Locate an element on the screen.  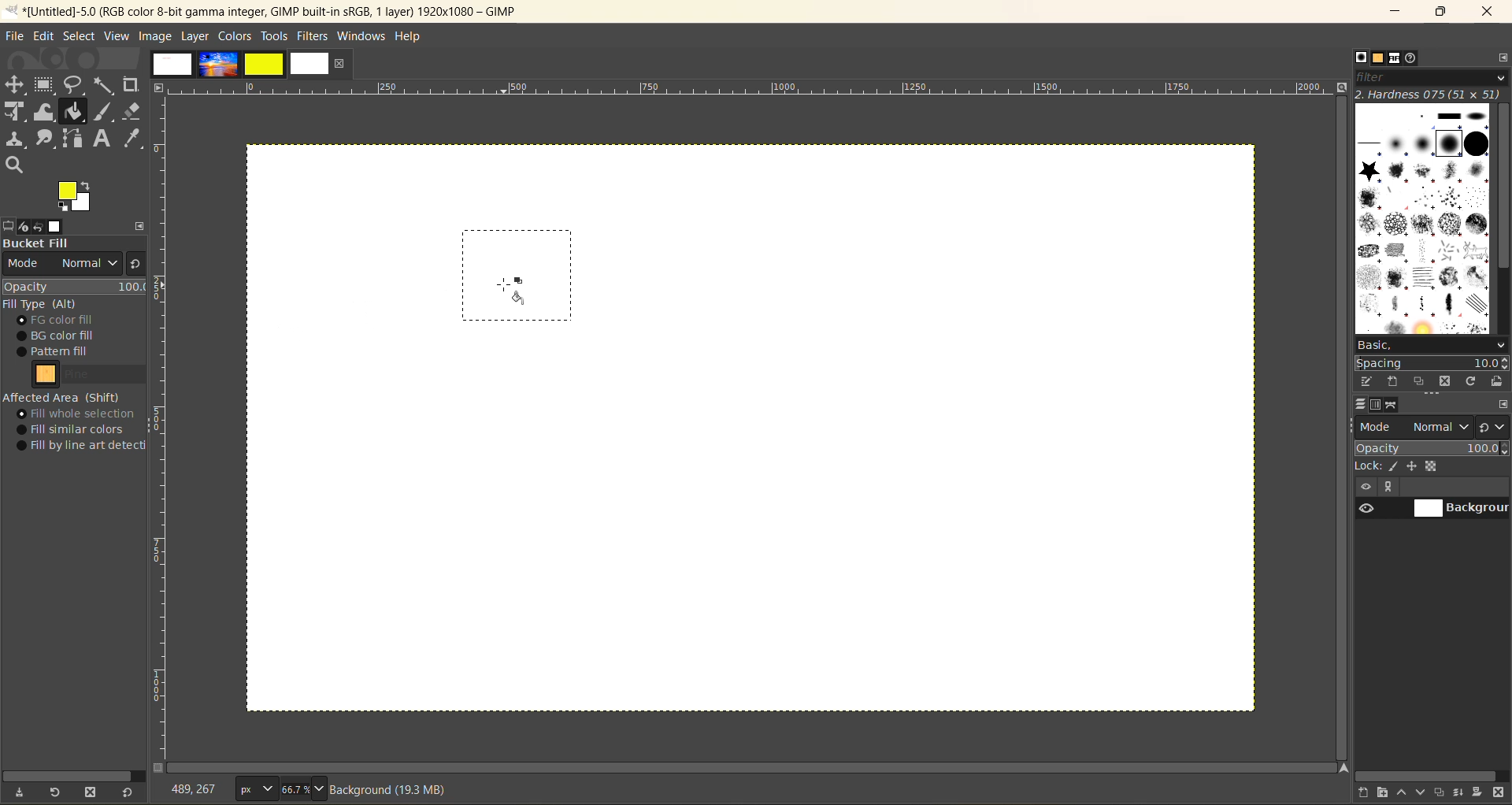
fill type is located at coordinates (43, 305).